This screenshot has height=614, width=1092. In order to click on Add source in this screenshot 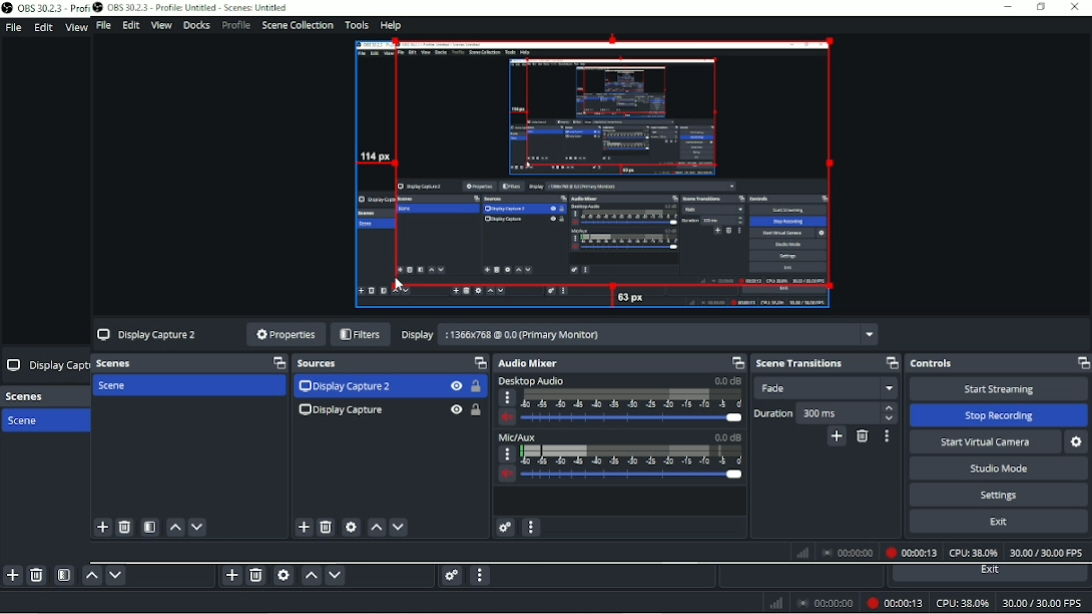, I will do `click(230, 576)`.